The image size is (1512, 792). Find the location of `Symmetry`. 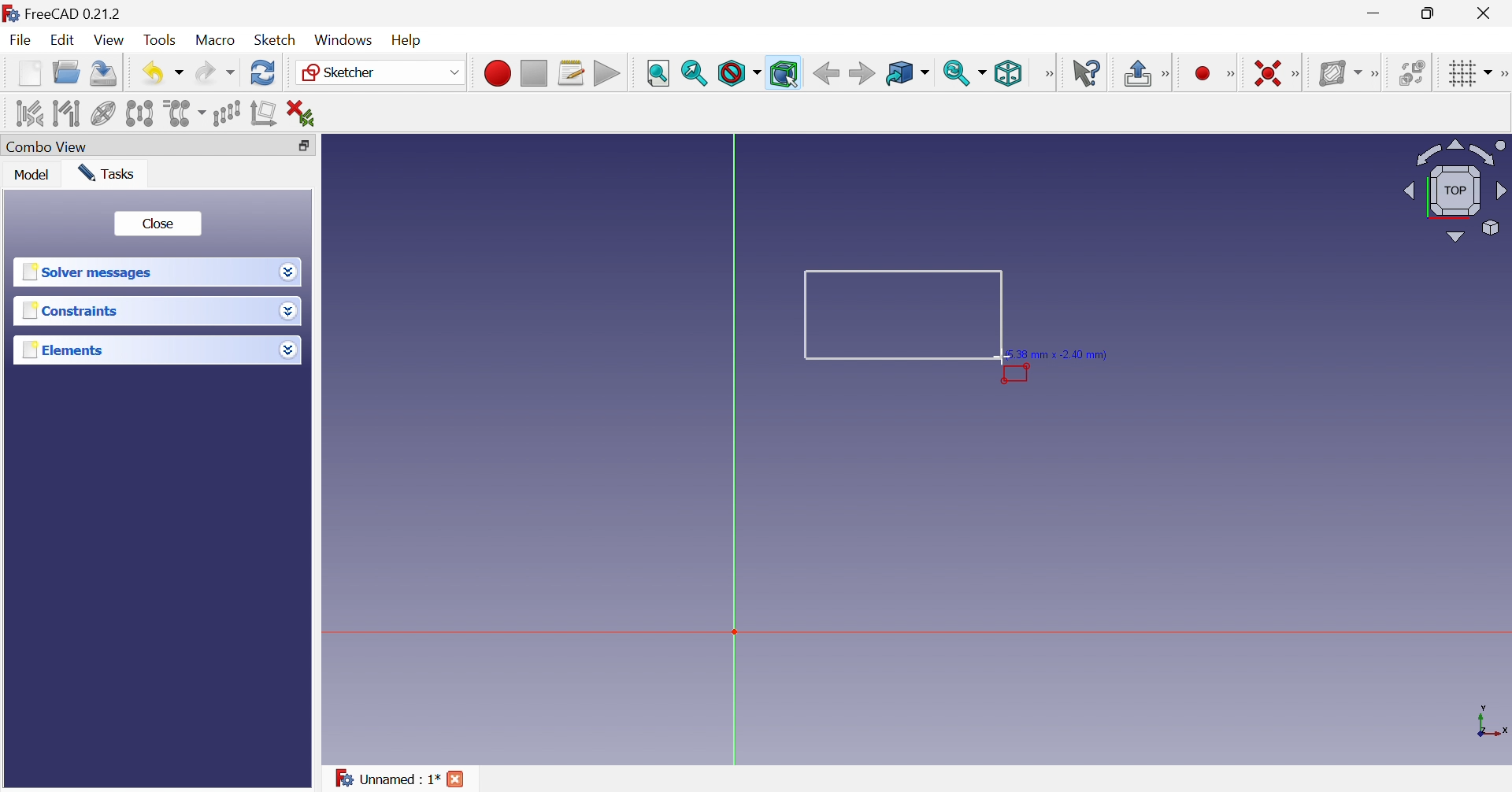

Symmetry is located at coordinates (140, 114).